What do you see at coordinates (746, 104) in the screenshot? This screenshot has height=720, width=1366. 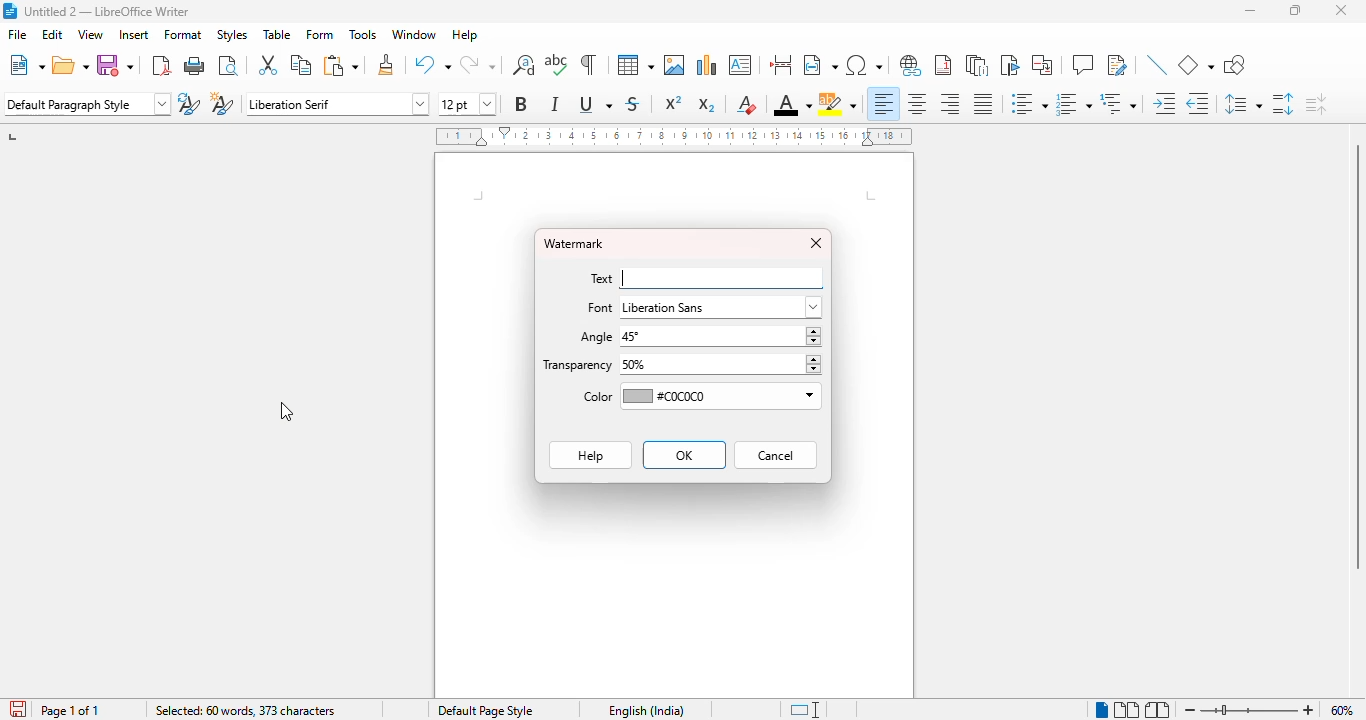 I see `clear direct formatting` at bounding box center [746, 104].